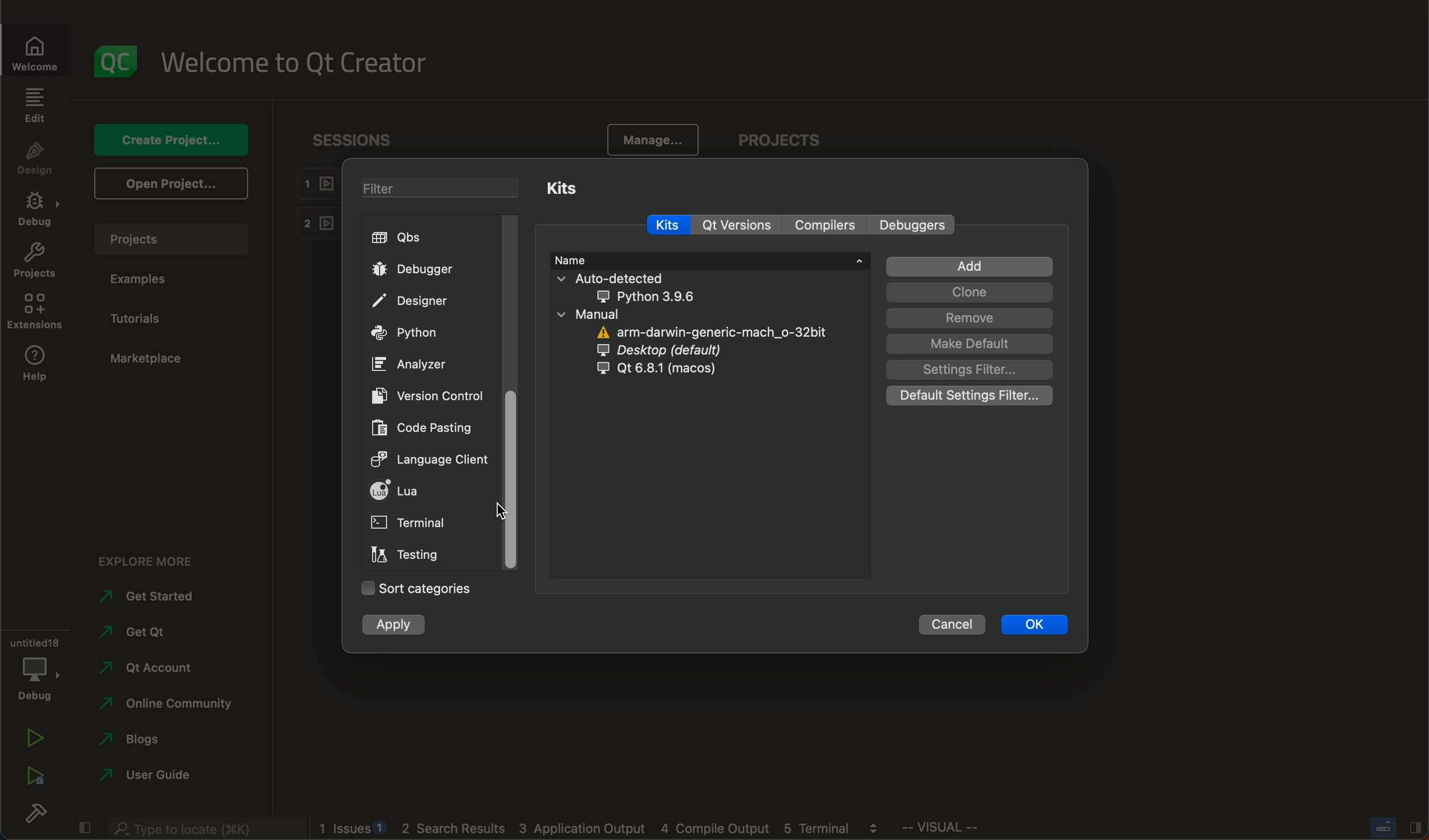 The image size is (1429, 840). Describe the element at coordinates (175, 236) in the screenshot. I see `projects` at that location.